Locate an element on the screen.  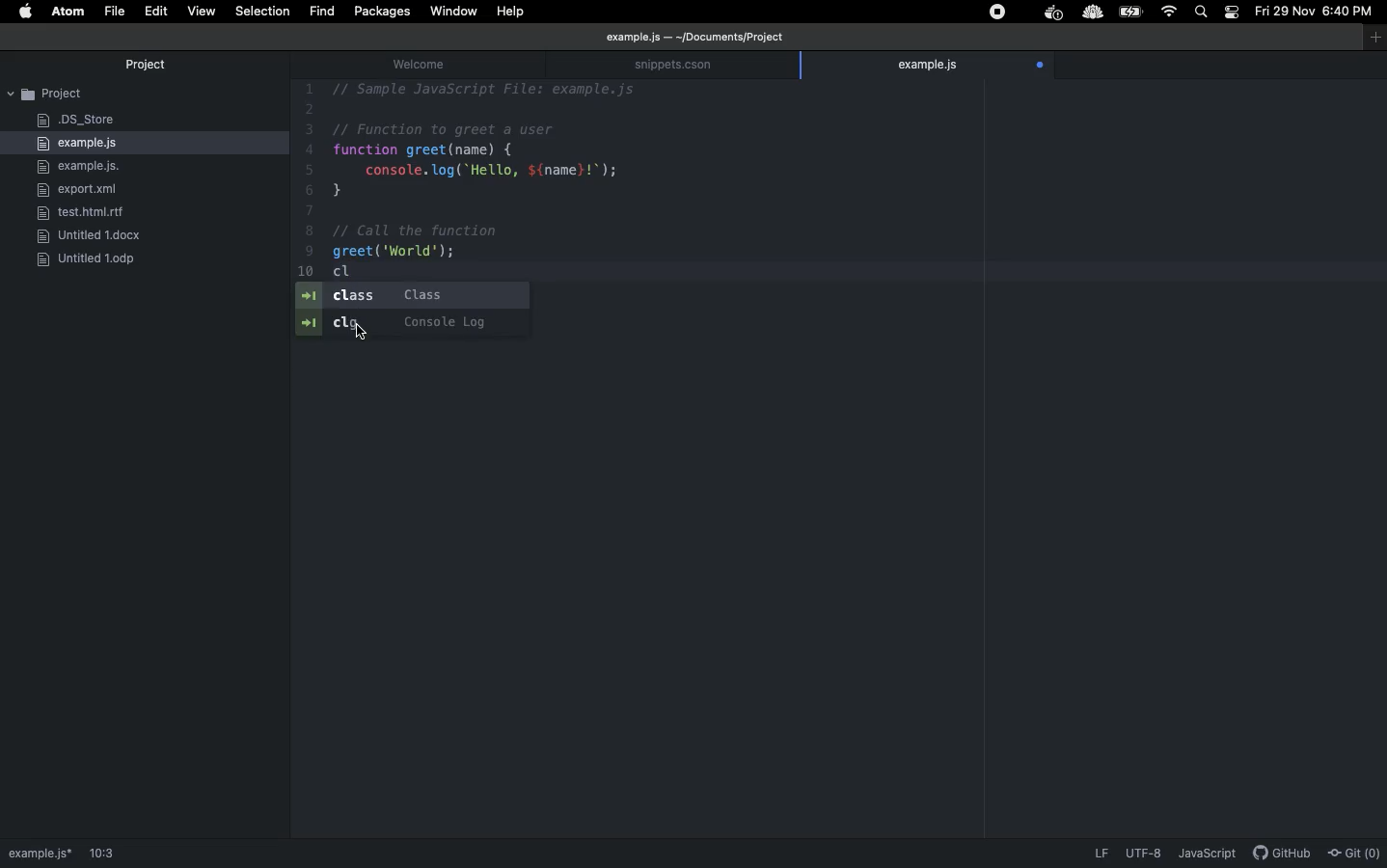
description is located at coordinates (1149, 855).